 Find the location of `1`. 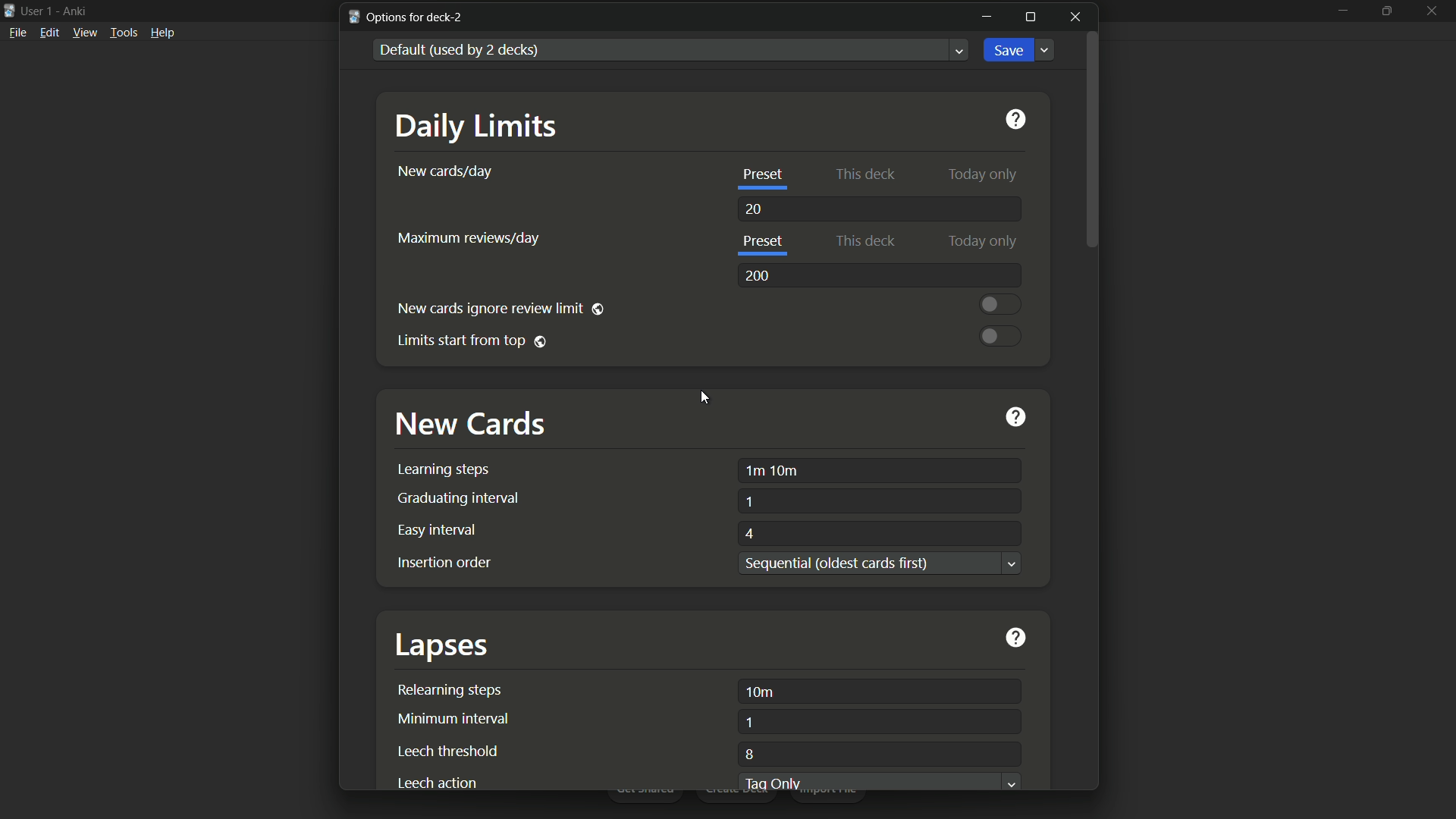

1 is located at coordinates (752, 725).